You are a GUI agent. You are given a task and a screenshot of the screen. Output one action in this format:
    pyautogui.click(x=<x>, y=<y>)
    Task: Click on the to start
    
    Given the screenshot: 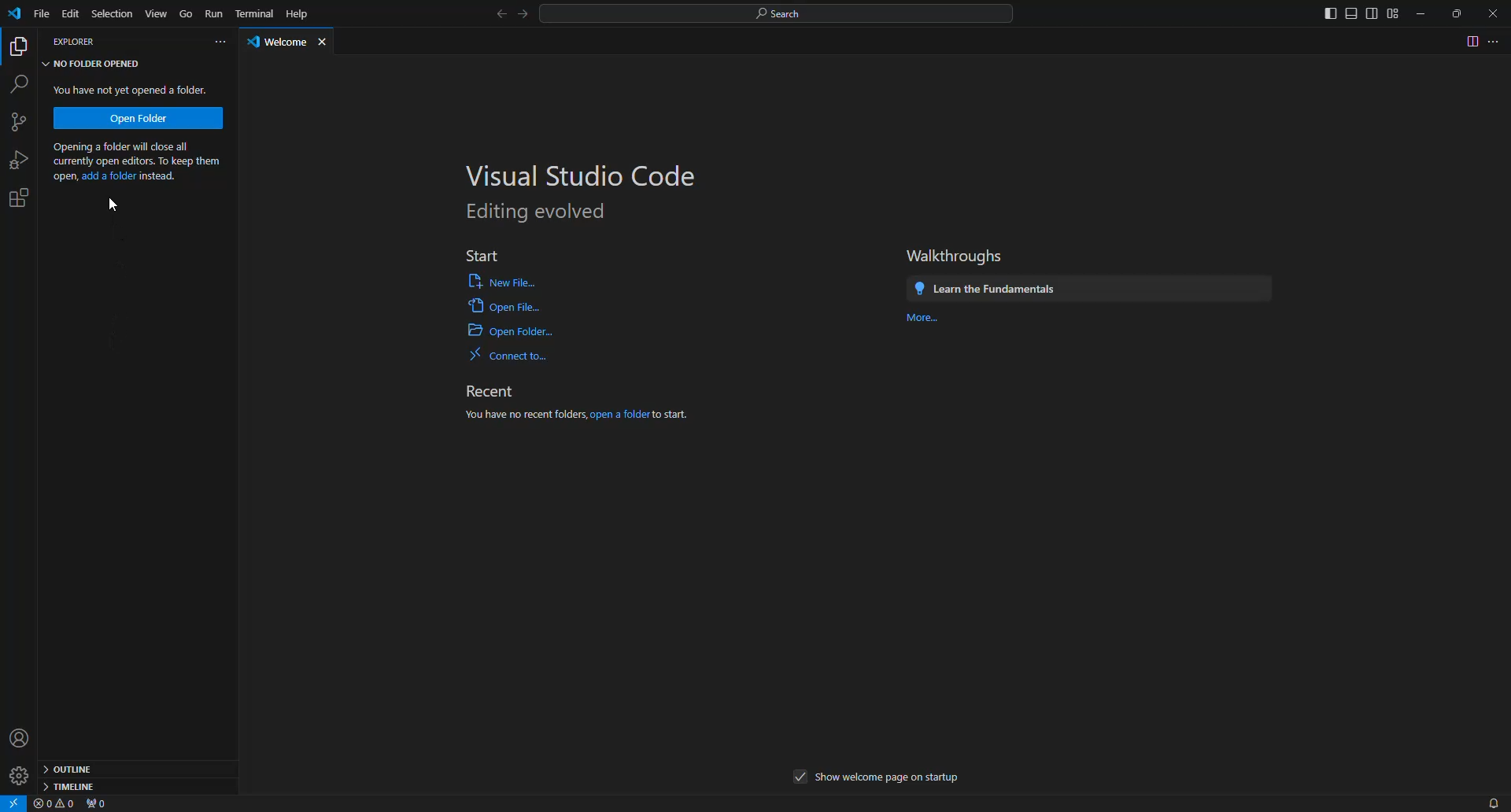 What is the action you would take?
    pyautogui.click(x=671, y=415)
    